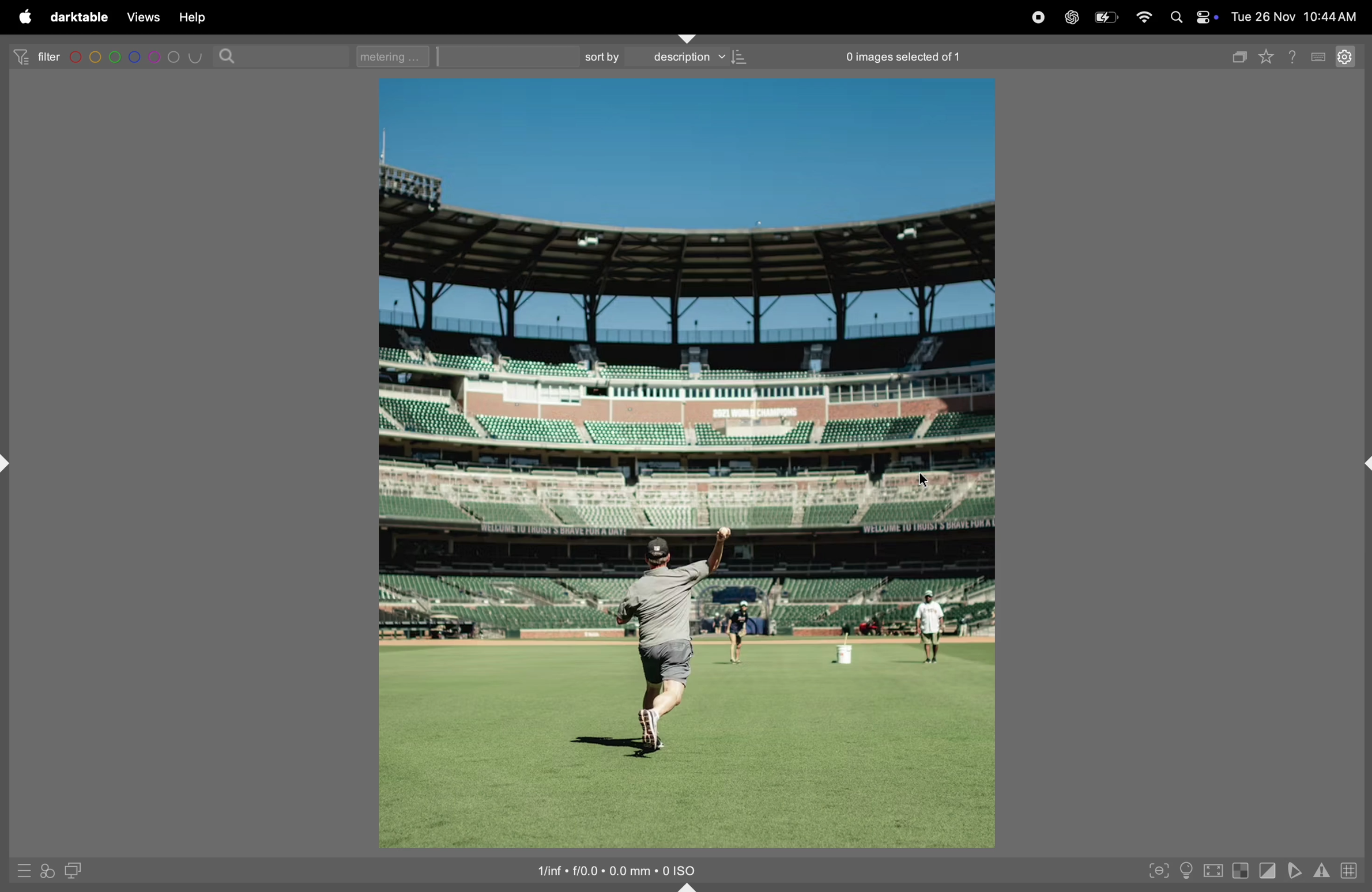 Image resolution: width=1372 pixels, height=892 pixels. Describe the element at coordinates (1296, 869) in the screenshot. I see `soft proffing` at that location.